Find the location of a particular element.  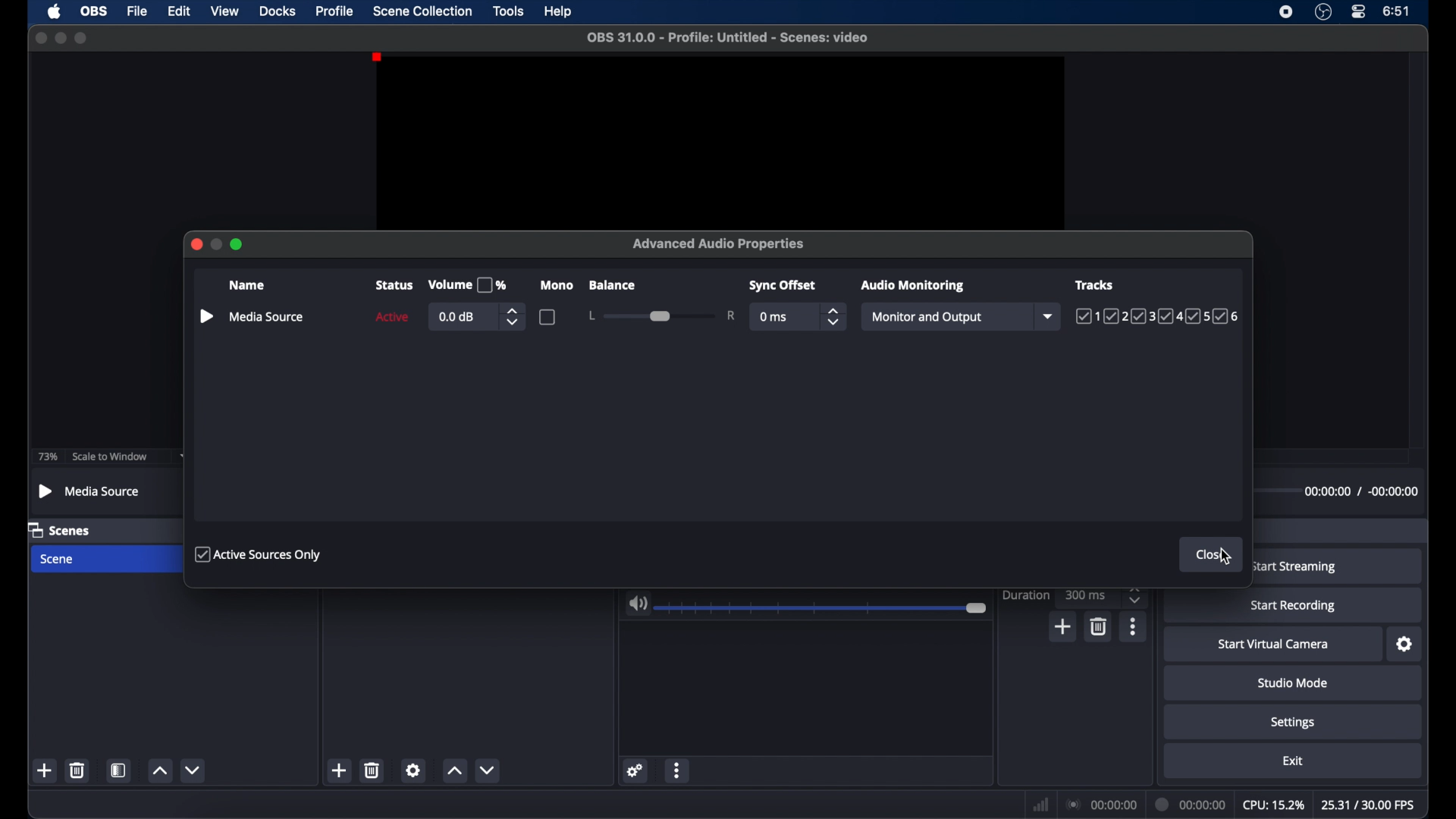

duration is located at coordinates (1191, 804).